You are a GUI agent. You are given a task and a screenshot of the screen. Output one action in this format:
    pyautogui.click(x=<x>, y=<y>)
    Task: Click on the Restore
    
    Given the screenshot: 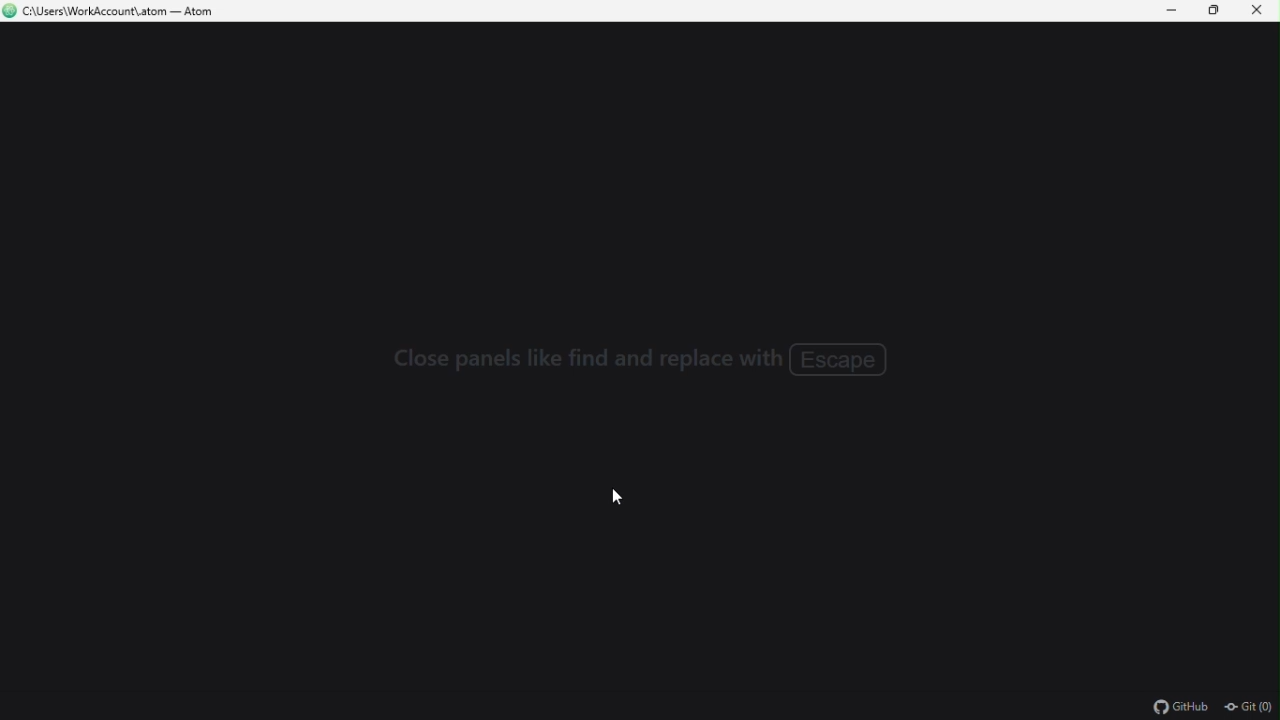 What is the action you would take?
    pyautogui.click(x=1209, y=12)
    